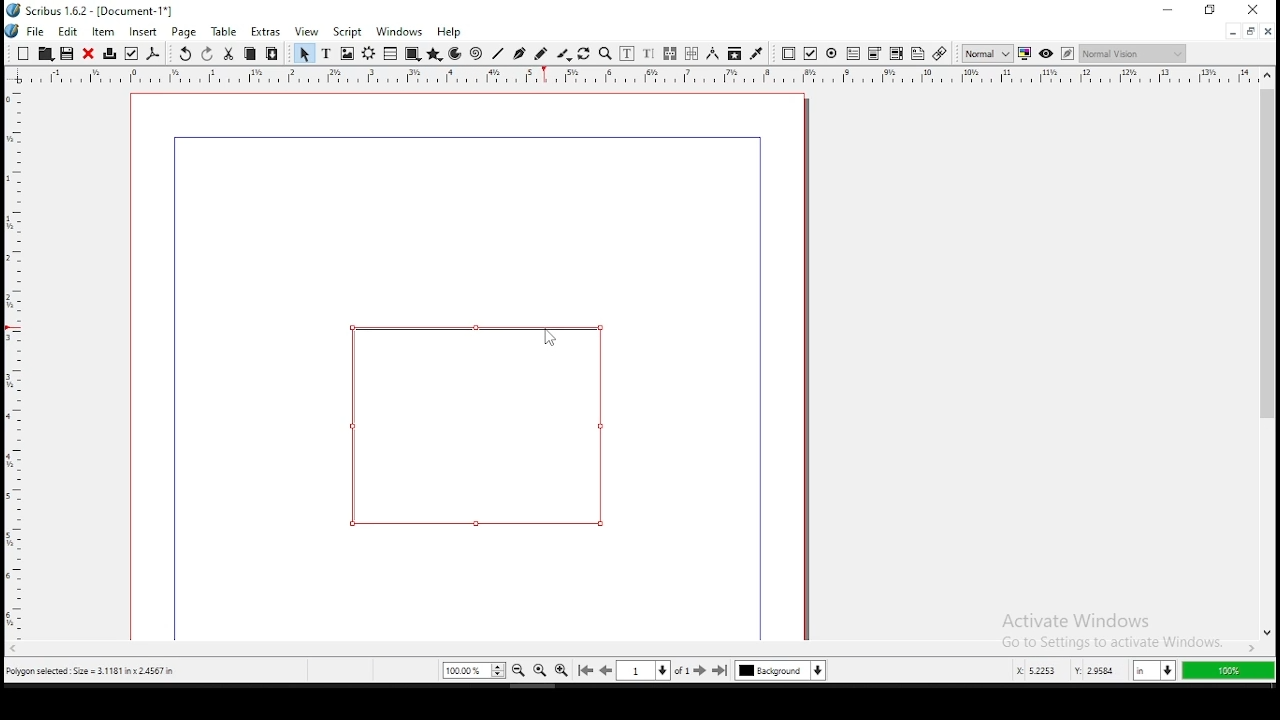  I want to click on preview mode, so click(1044, 53).